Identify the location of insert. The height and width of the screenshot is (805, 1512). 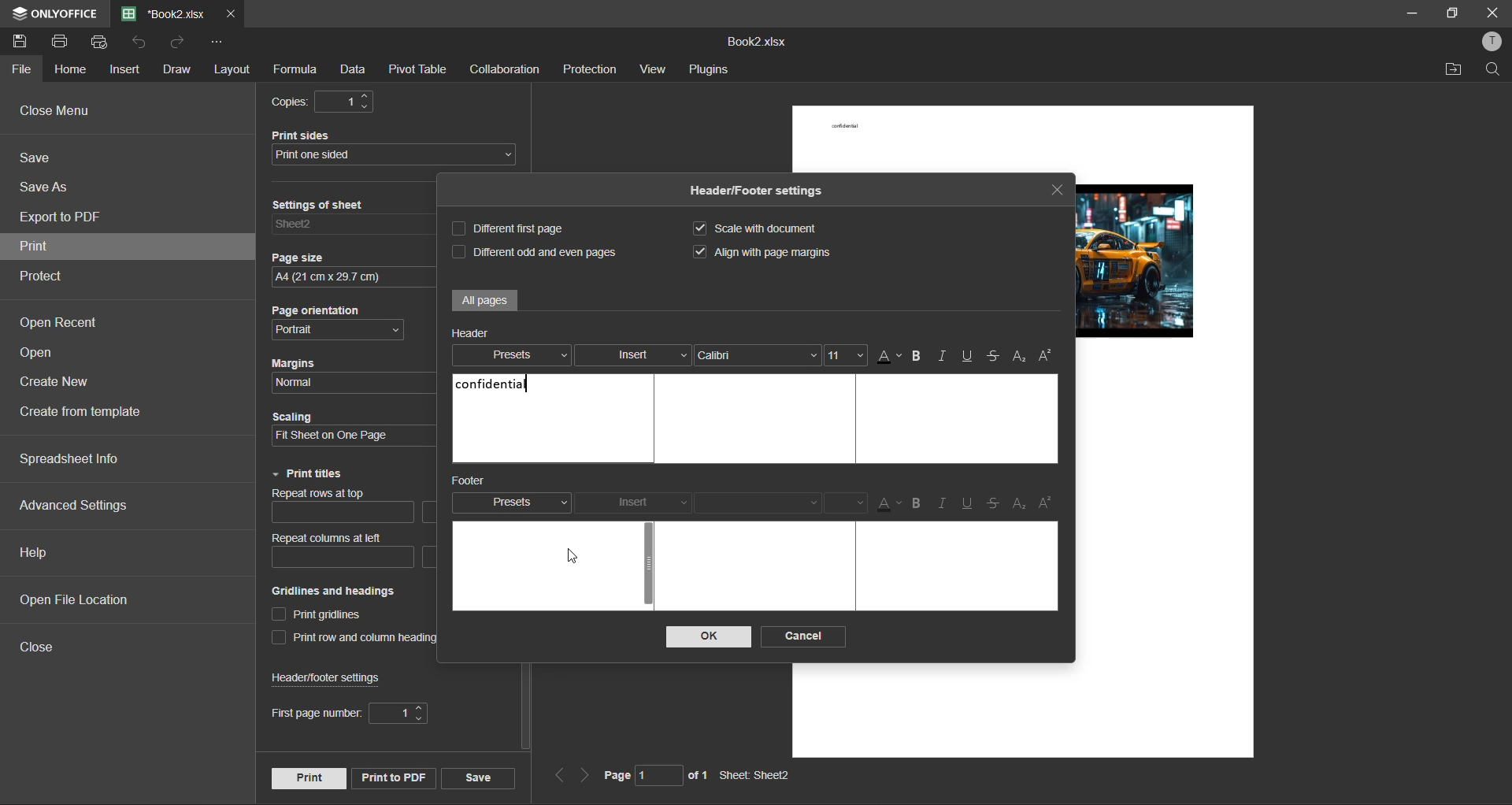
(636, 355).